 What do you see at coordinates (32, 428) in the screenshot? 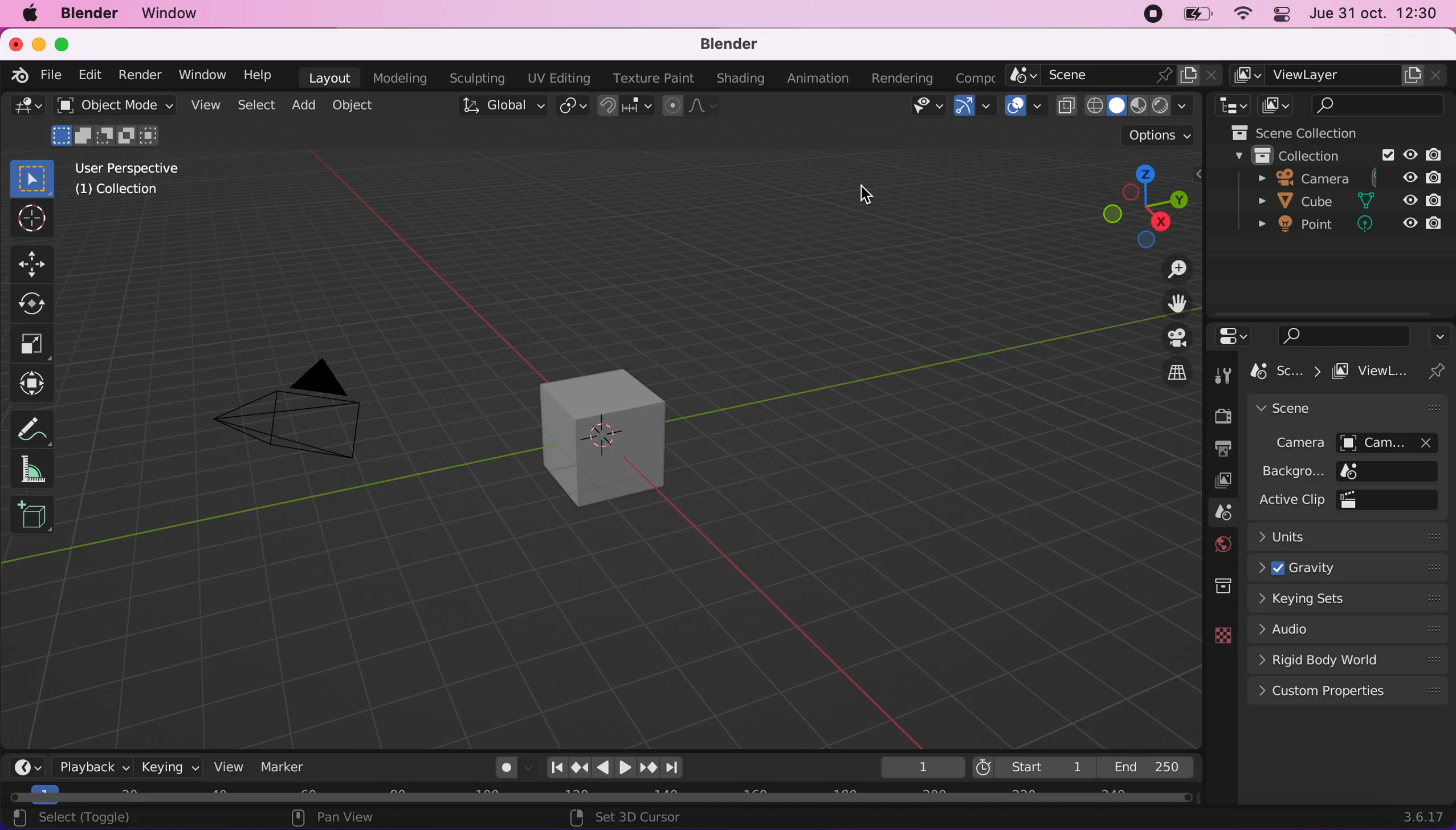
I see `annotate` at bounding box center [32, 428].